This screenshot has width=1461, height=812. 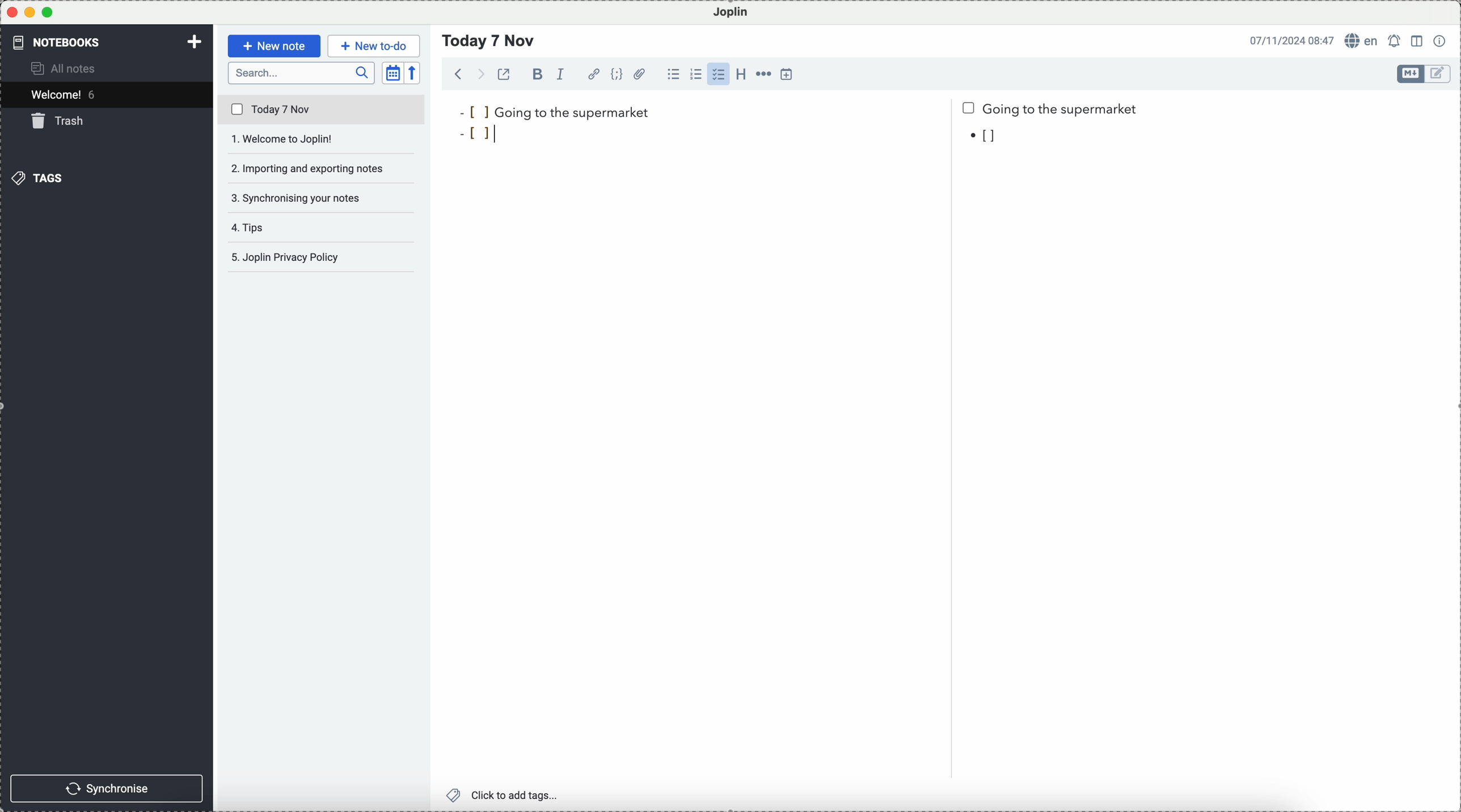 What do you see at coordinates (479, 74) in the screenshot?
I see `forward` at bounding box center [479, 74].